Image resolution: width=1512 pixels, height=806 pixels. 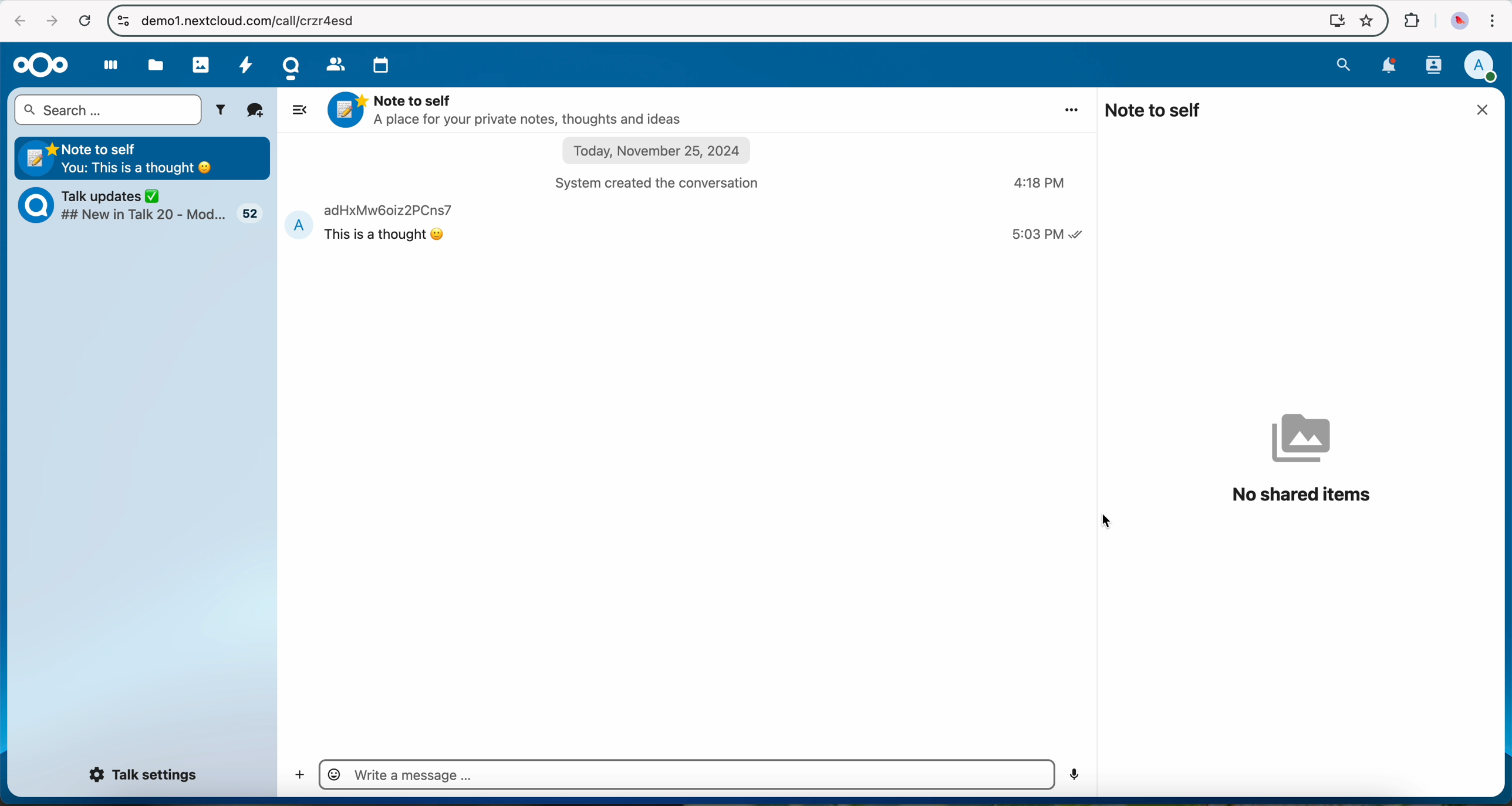 I want to click on hide side bar, so click(x=298, y=109).